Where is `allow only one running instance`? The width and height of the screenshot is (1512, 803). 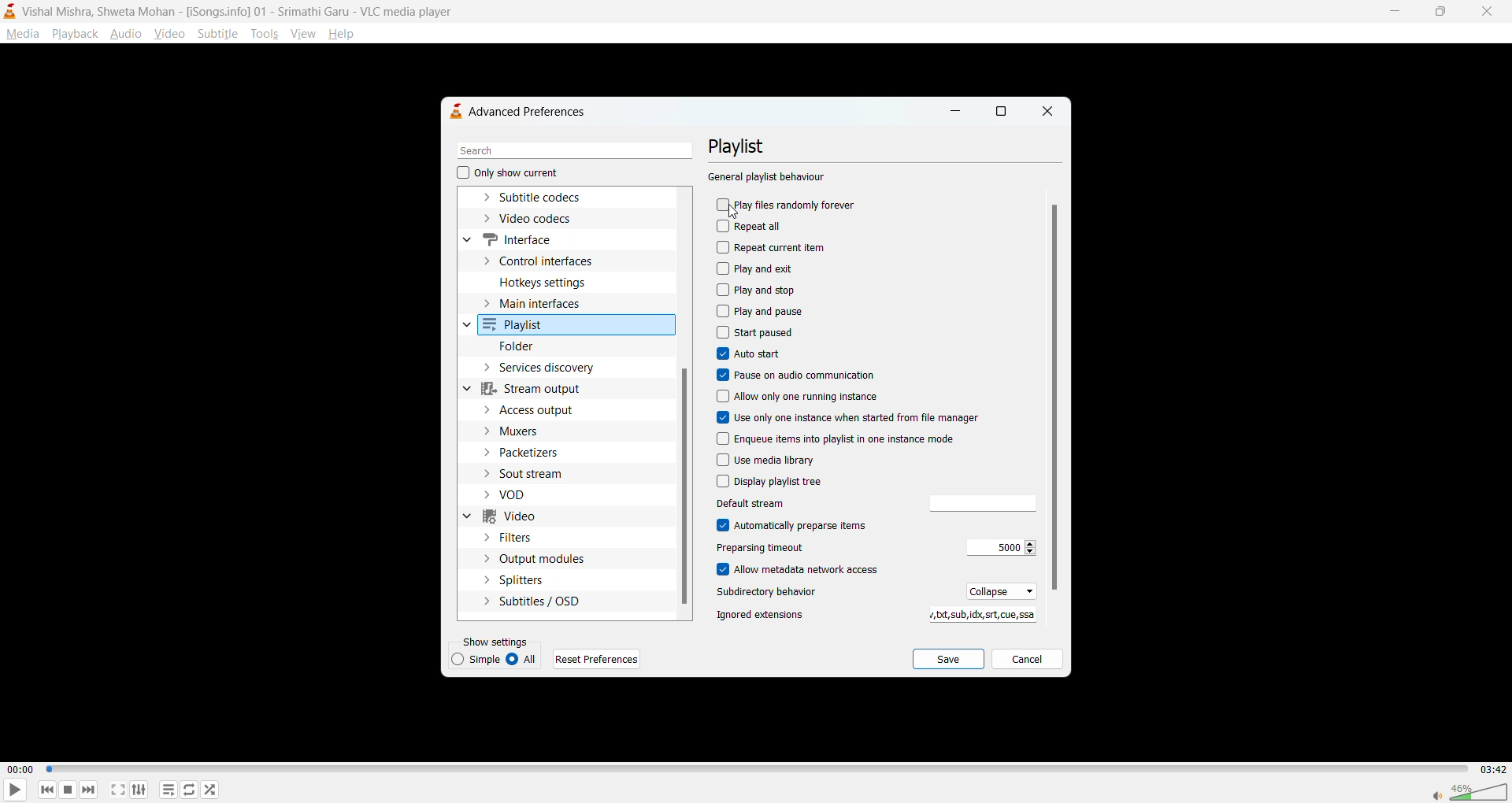
allow only one running instance is located at coordinates (801, 398).